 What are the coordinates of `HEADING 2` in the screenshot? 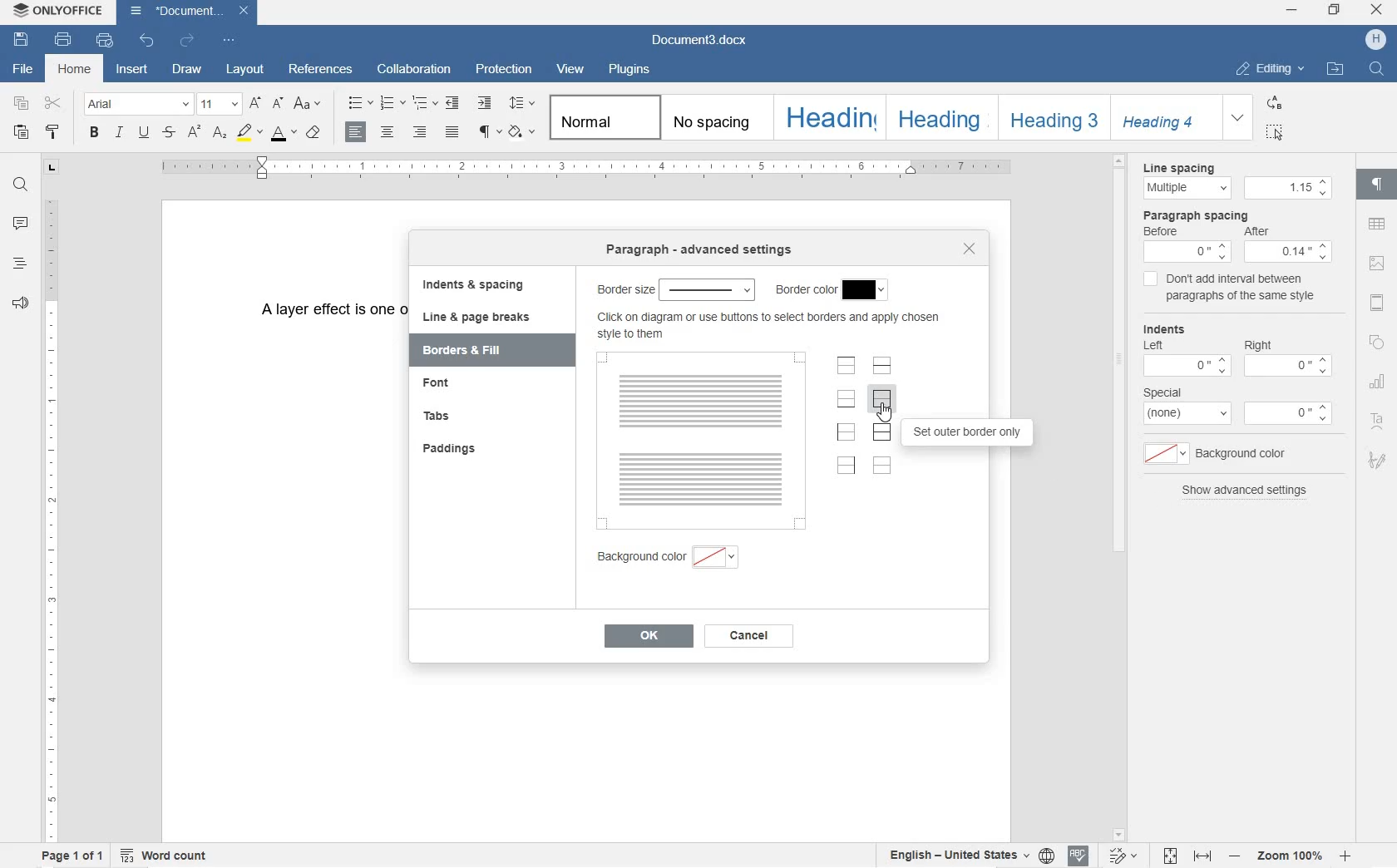 It's located at (940, 118).